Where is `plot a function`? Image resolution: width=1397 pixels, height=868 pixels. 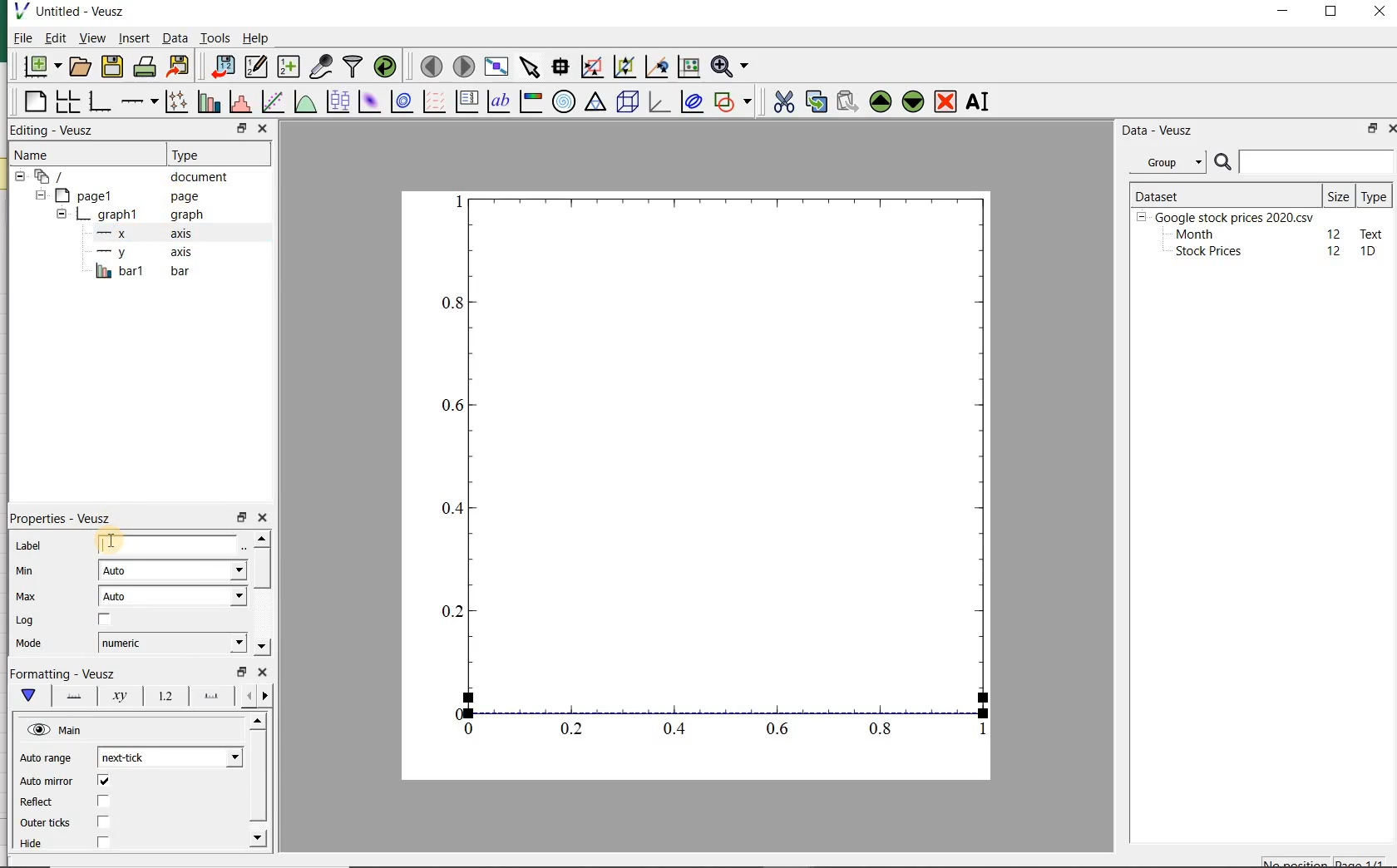 plot a function is located at coordinates (304, 103).